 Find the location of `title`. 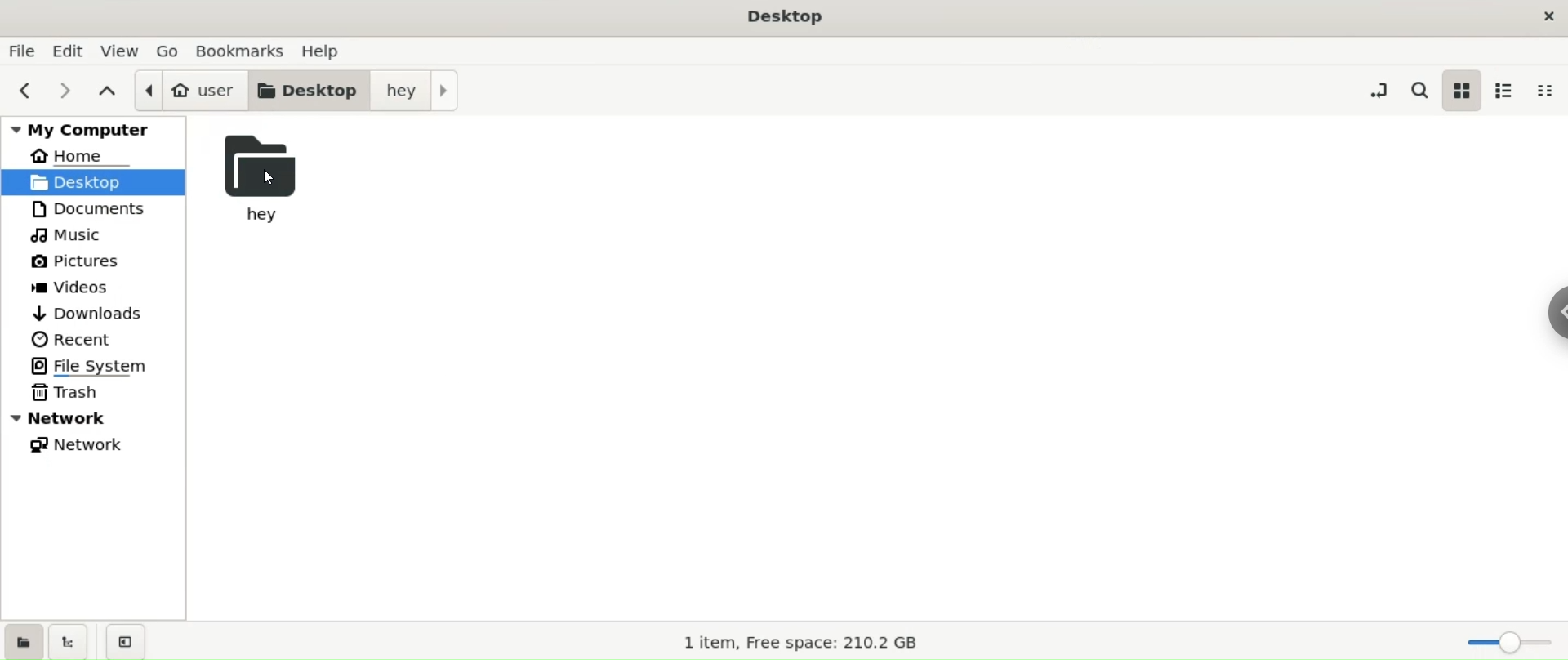

title is located at coordinates (782, 17).